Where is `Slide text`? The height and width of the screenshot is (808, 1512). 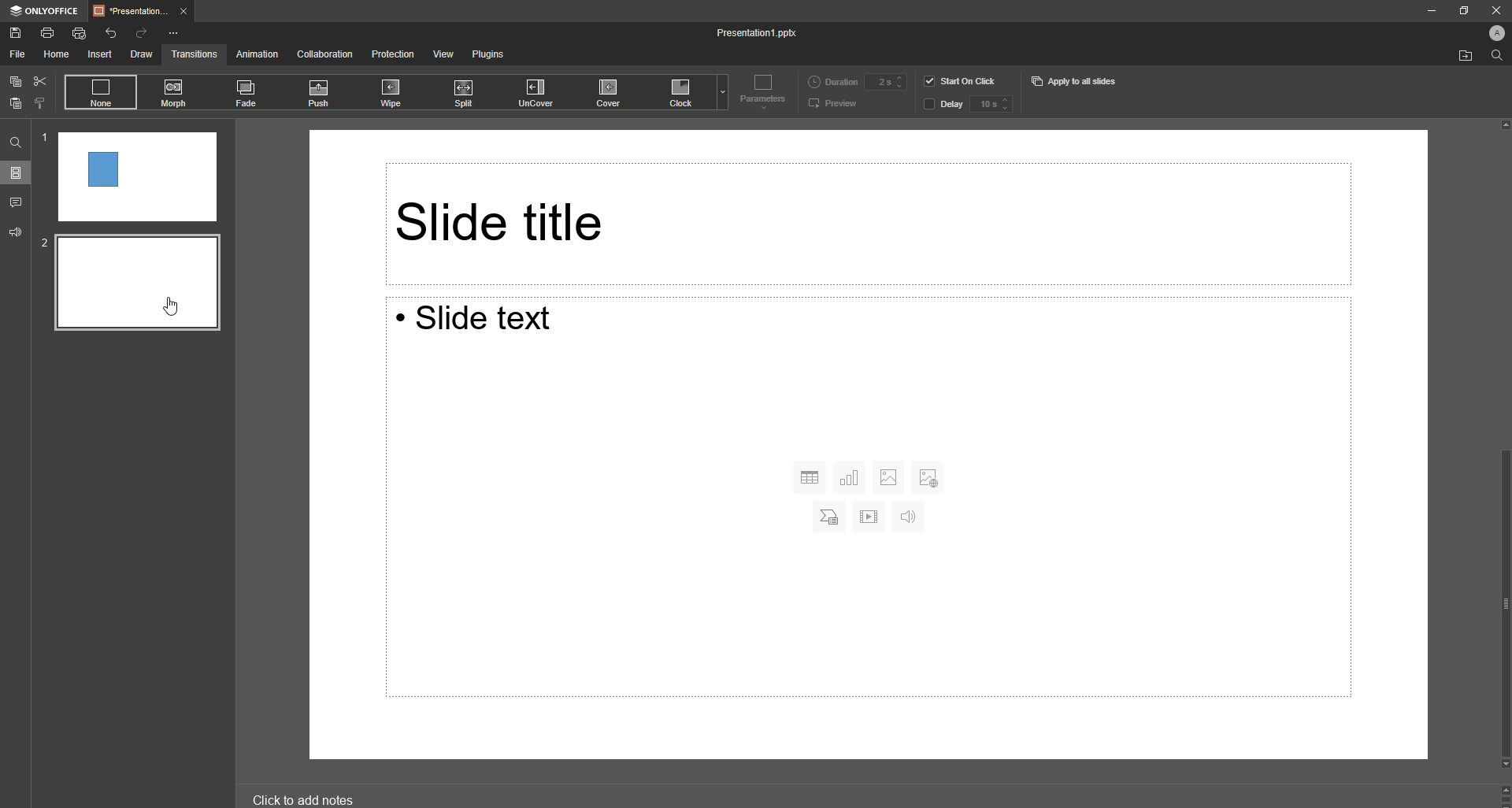
Slide text is located at coordinates (850, 332).